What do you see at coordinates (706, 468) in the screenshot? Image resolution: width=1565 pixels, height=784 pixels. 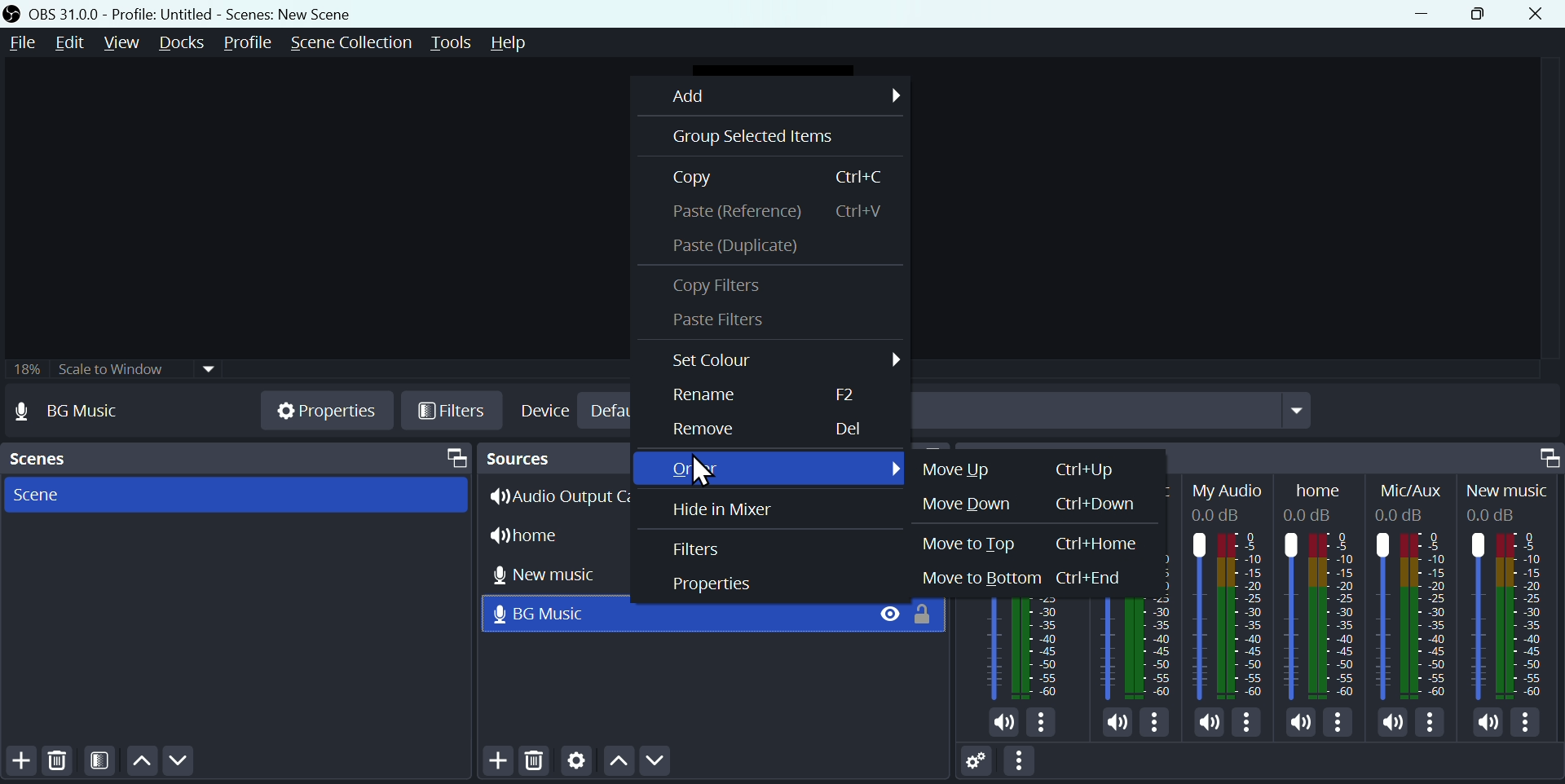 I see `Cursor` at bounding box center [706, 468].